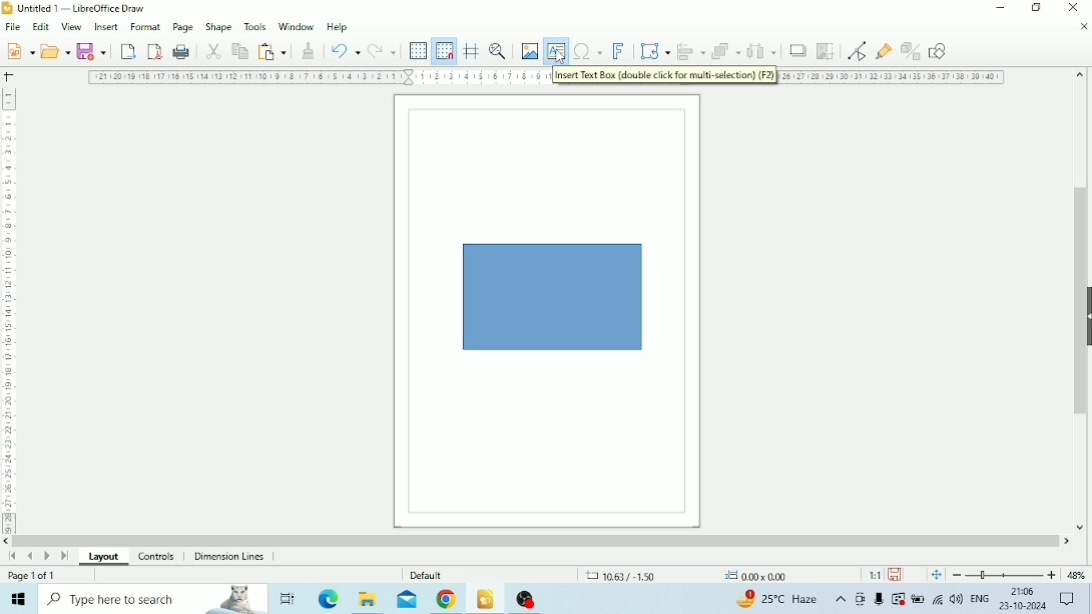 The image size is (1092, 614). What do you see at coordinates (155, 52) in the screenshot?
I see `Export Directly as PDF` at bounding box center [155, 52].